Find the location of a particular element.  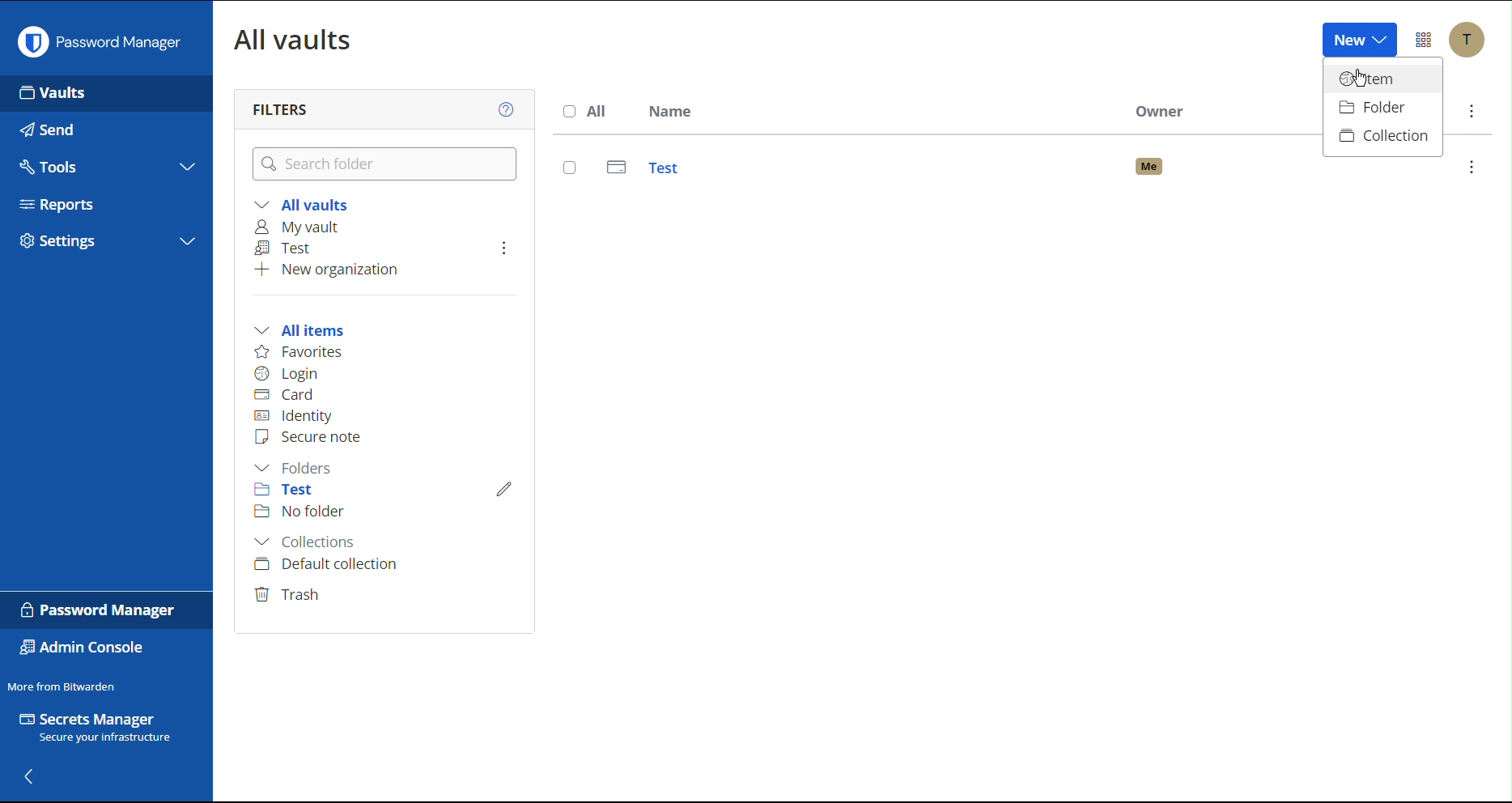

All Vaults is located at coordinates (296, 38).